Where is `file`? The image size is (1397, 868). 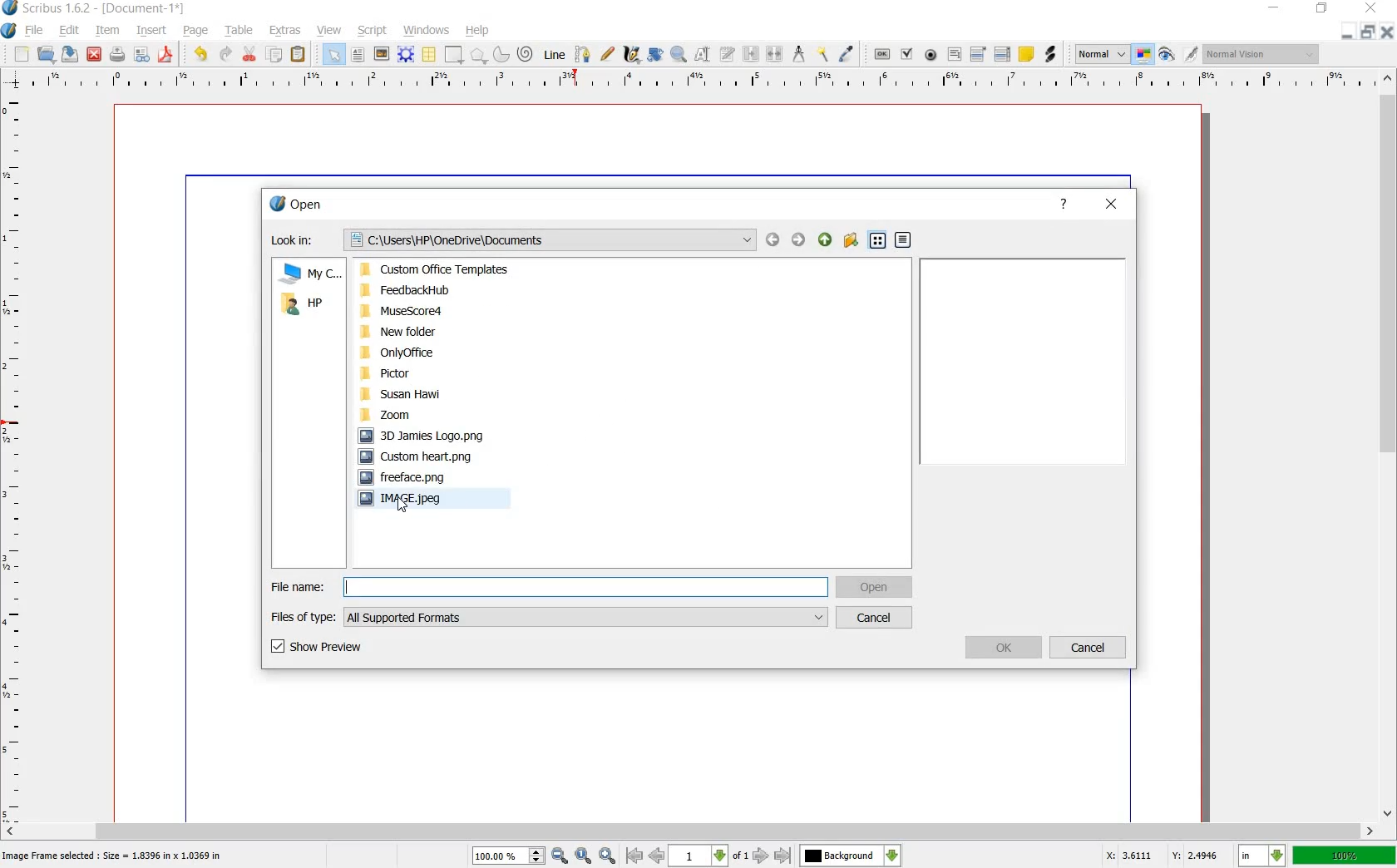 file is located at coordinates (34, 32).